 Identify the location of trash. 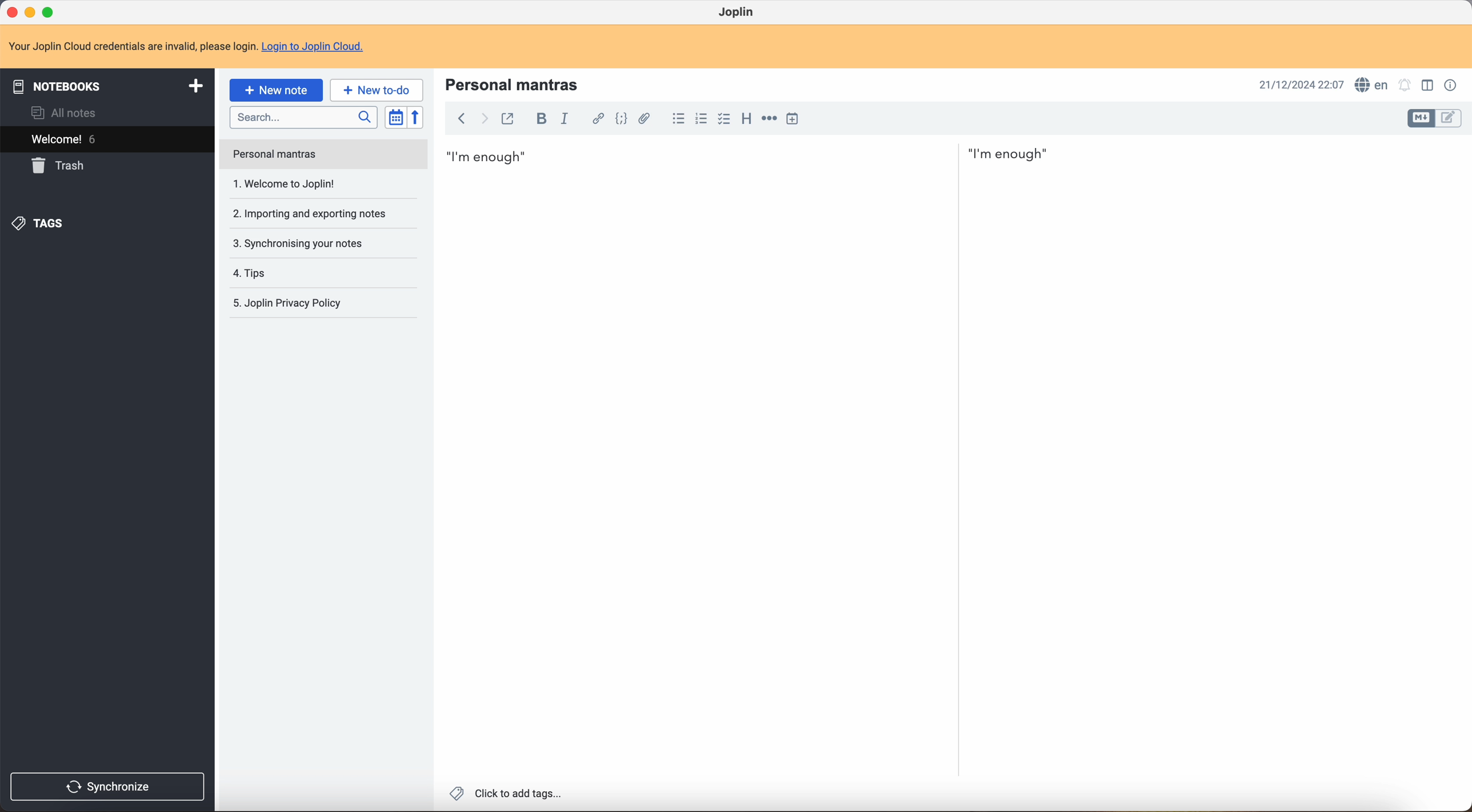
(61, 166).